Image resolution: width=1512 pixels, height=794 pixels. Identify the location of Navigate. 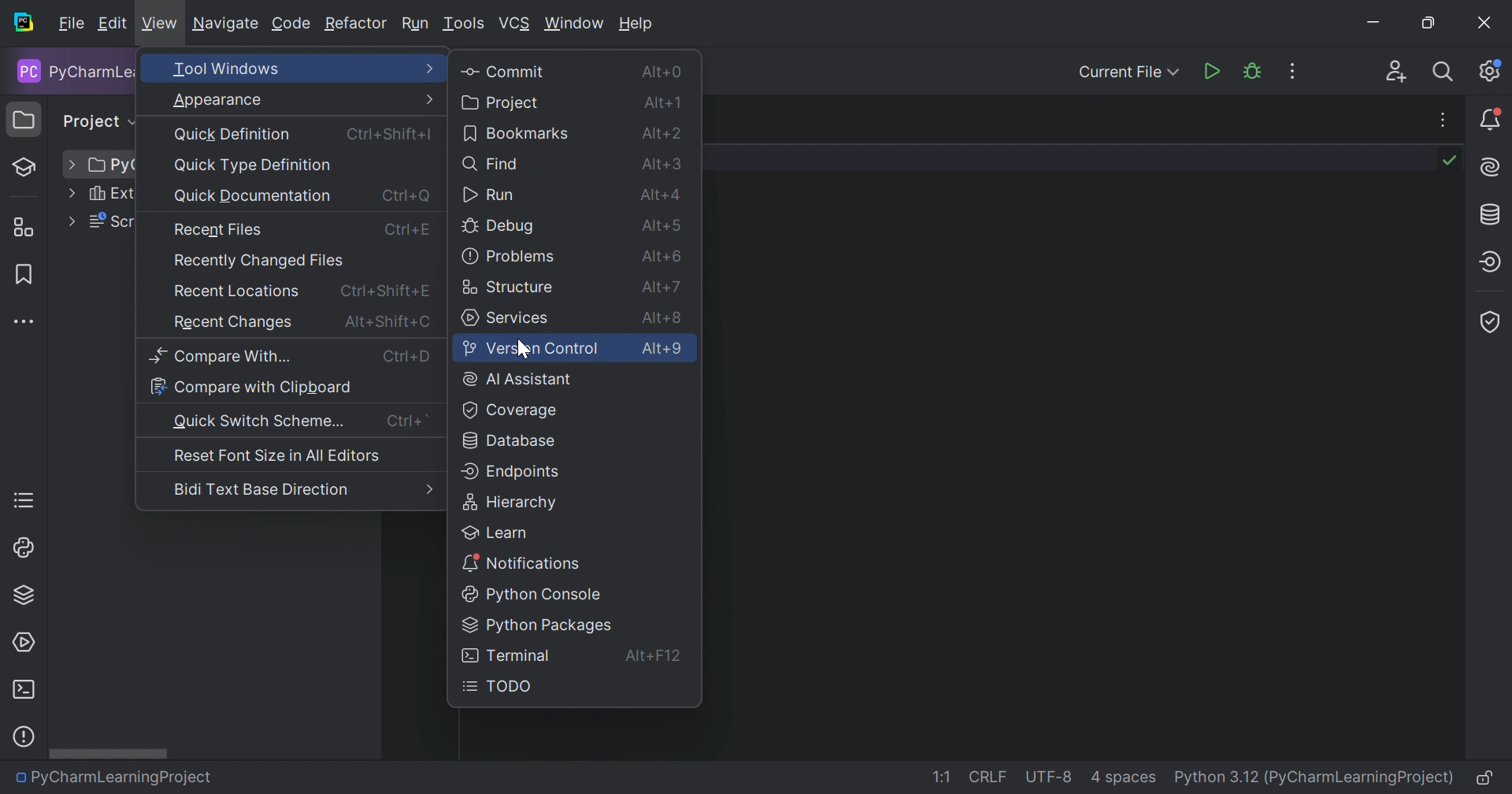
(226, 24).